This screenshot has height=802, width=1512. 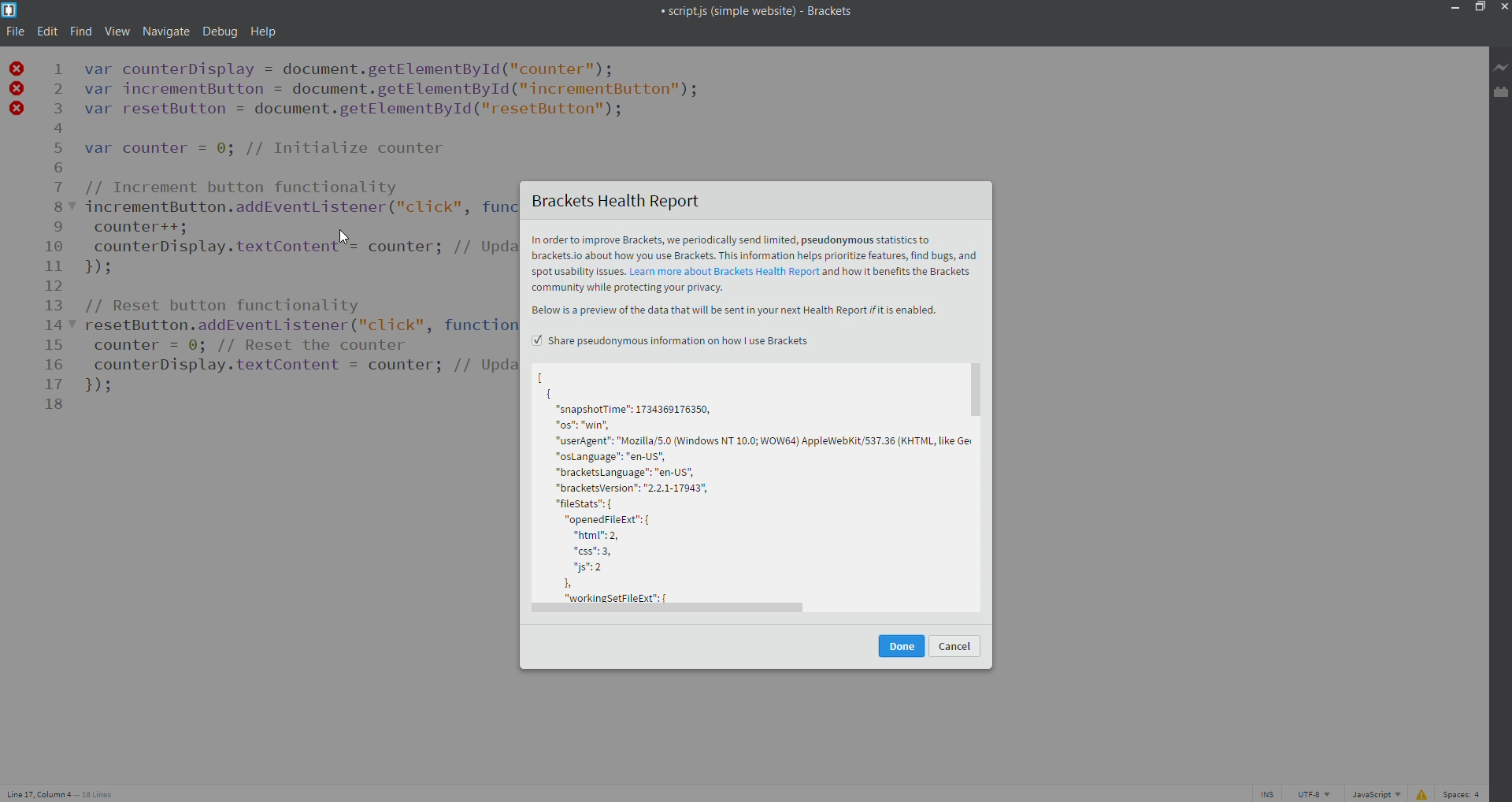 What do you see at coordinates (1502, 8) in the screenshot?
I see `close` at bounding box center [1502, 8].